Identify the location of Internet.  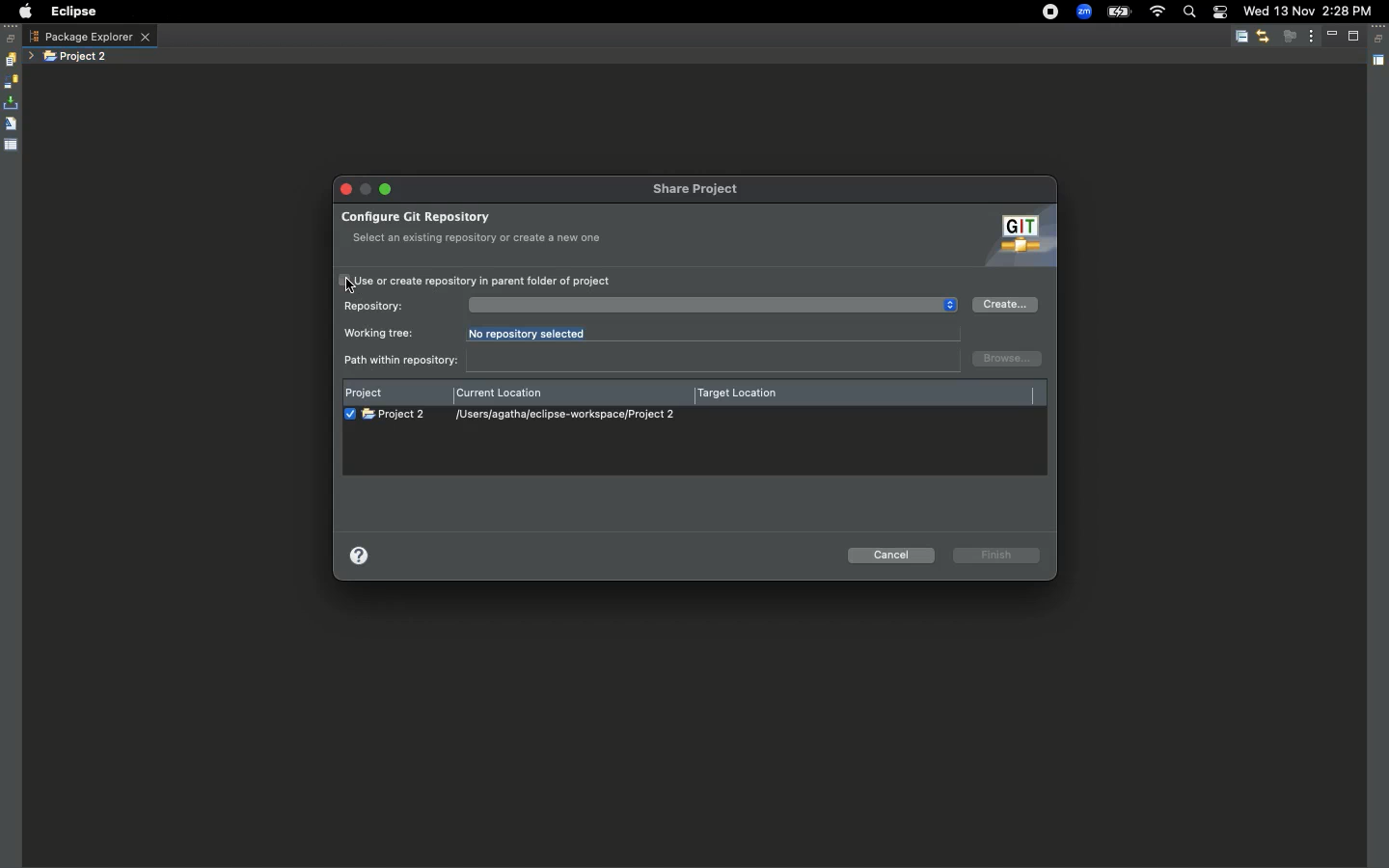
(1157, 13).